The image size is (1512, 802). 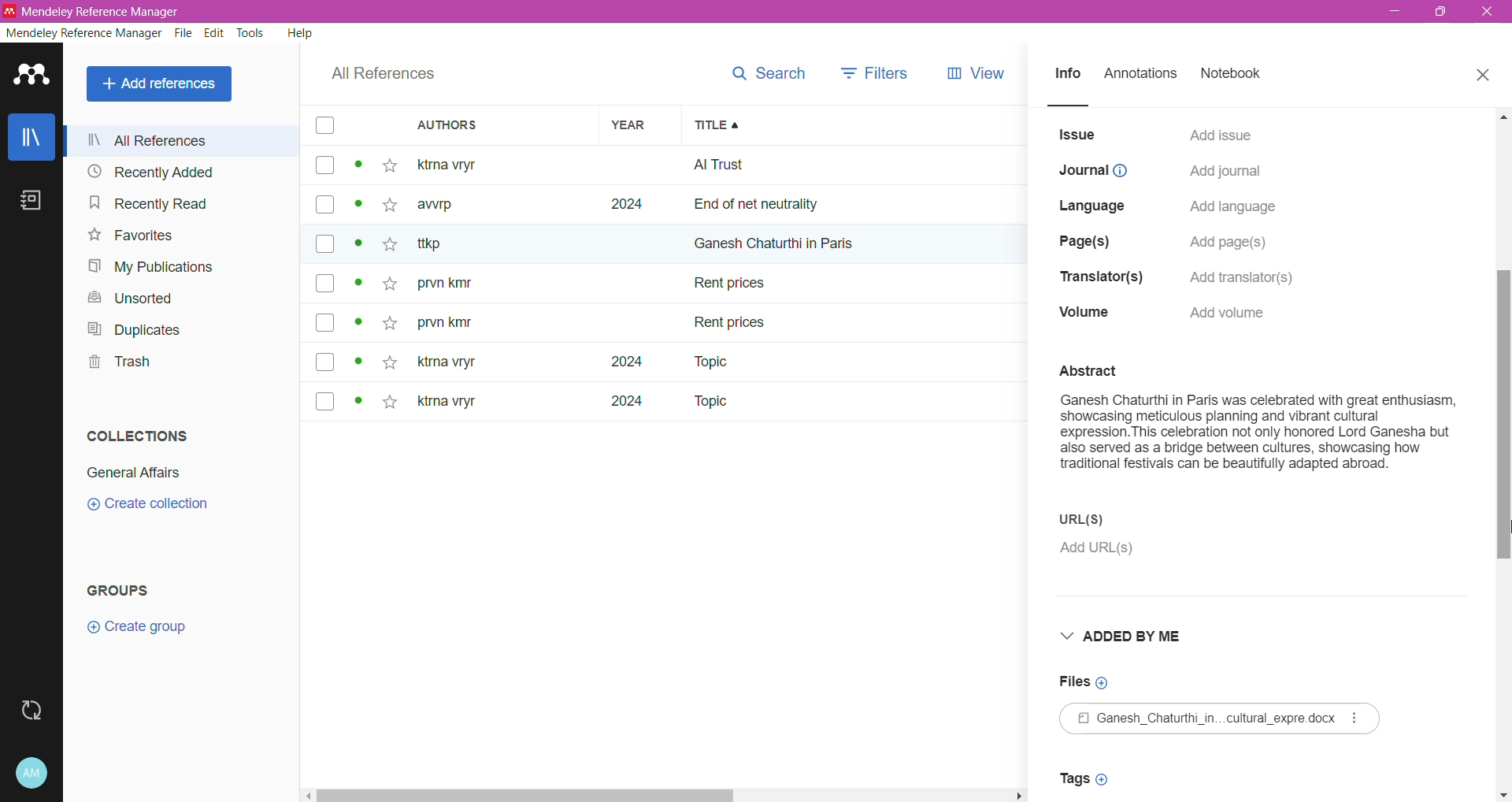 What do you see at coordinates (1234, 208) in the screenshot?
I see `Click to Add Language` at bounding box center [1234, 208].